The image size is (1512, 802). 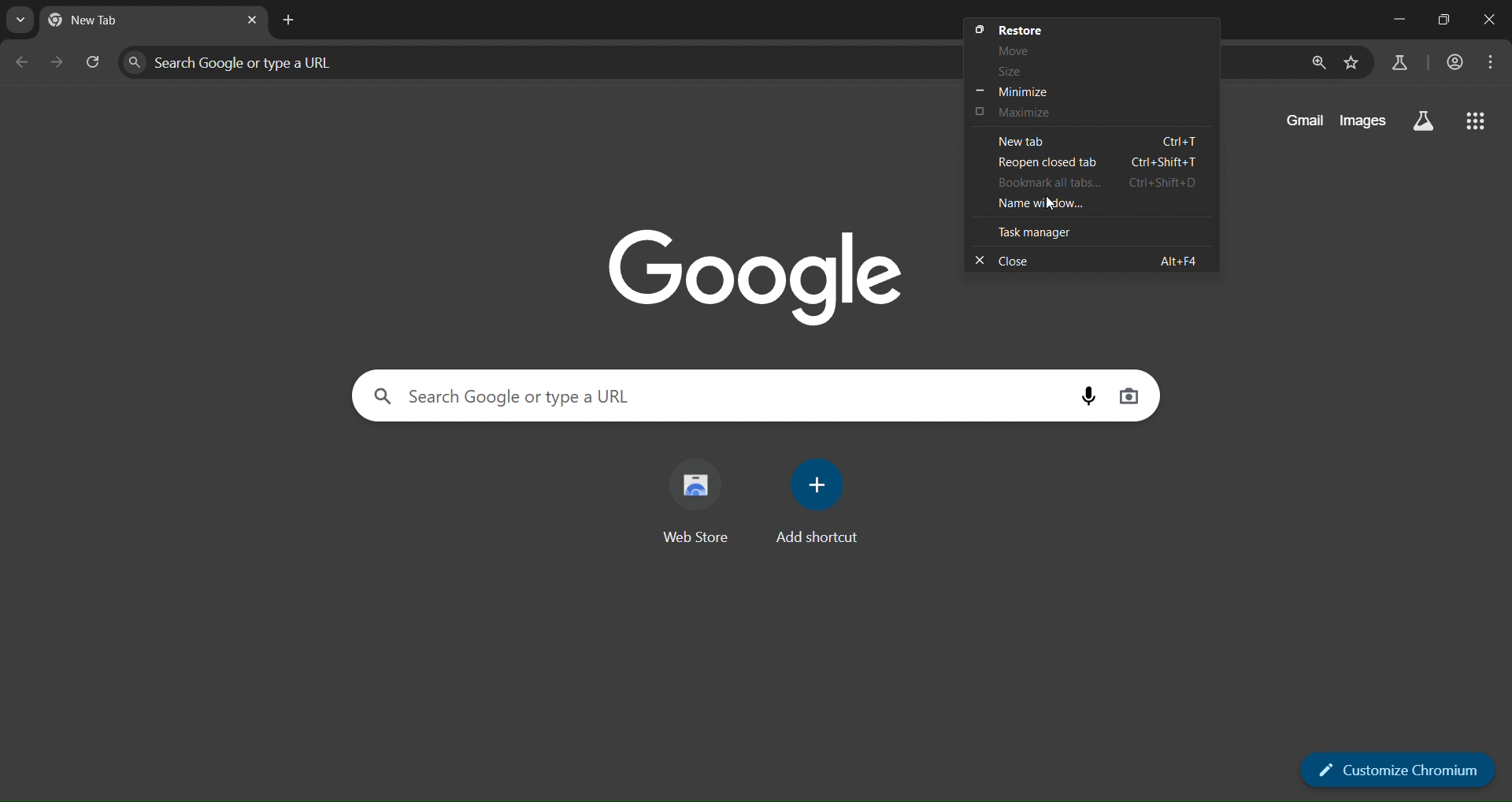 What do you see at coordinates (1458, 61) in the screenshot?
I see `account` at bounding box center [1458, 61].